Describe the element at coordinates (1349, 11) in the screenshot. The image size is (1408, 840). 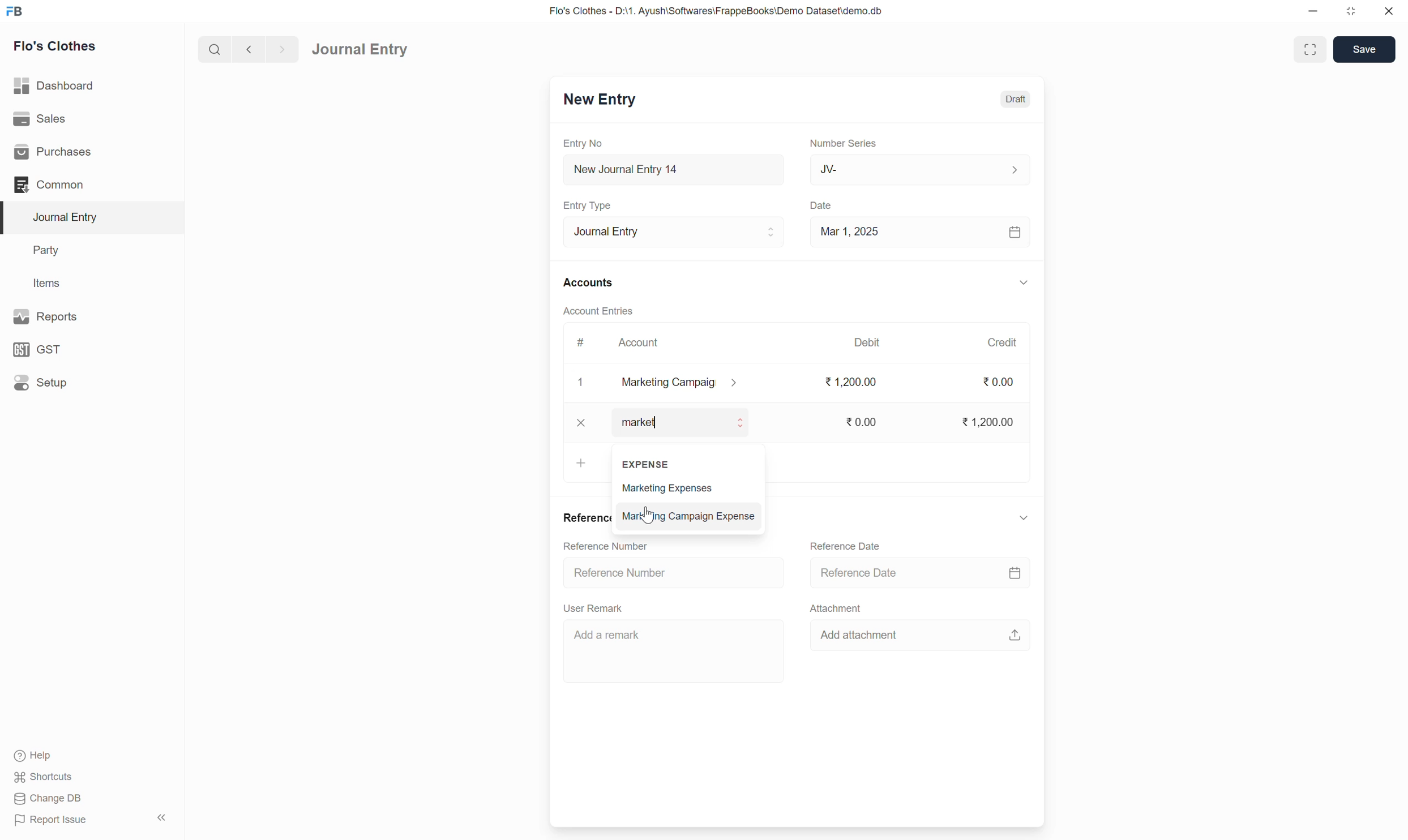
I see `resize` at that location.